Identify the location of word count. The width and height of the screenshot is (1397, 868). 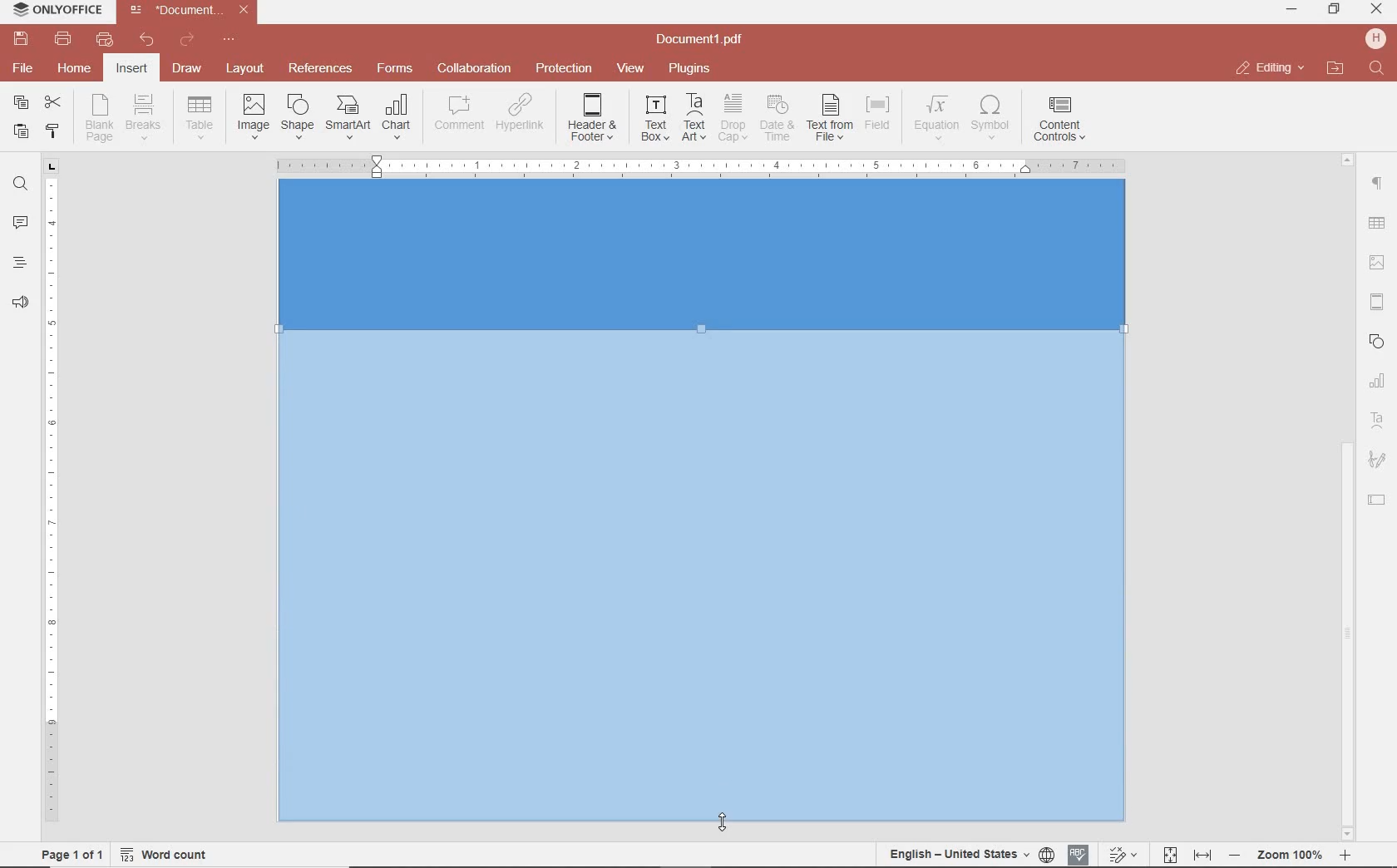
(170, 855).